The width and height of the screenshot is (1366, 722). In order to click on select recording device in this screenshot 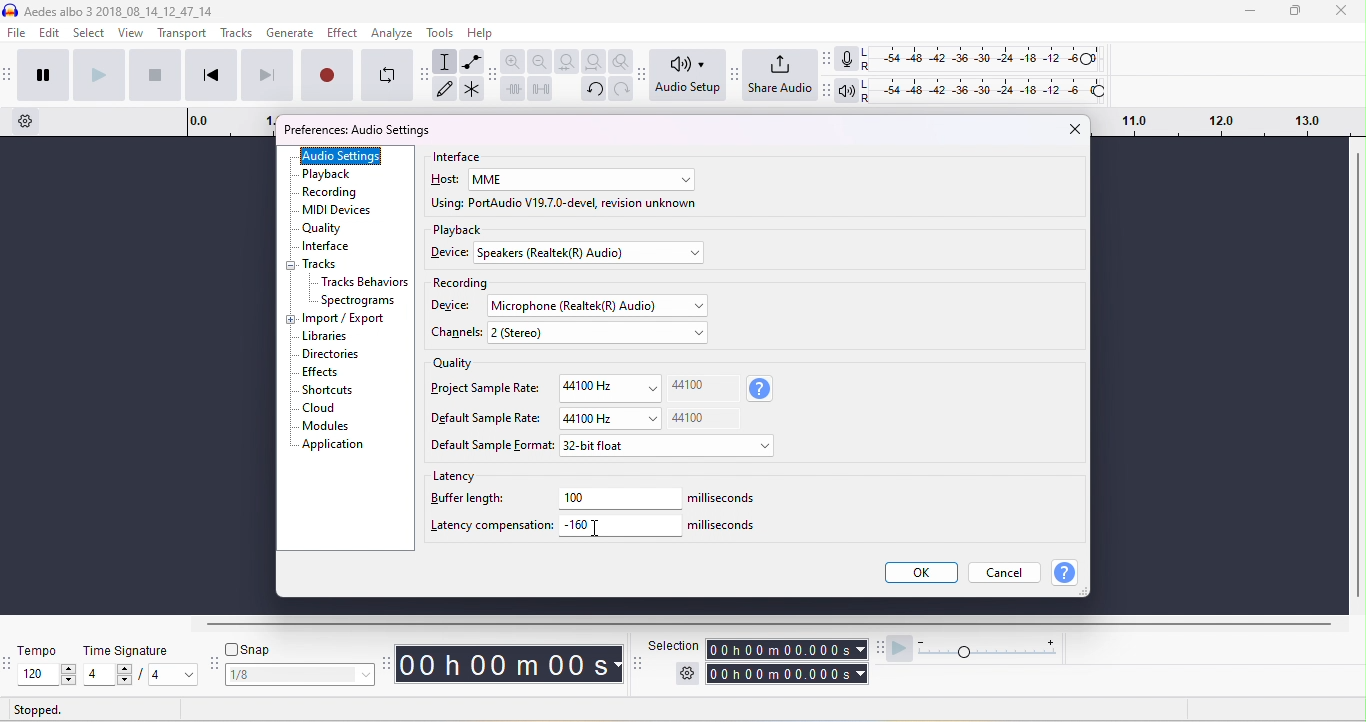, I will do `click(605, 306)`.